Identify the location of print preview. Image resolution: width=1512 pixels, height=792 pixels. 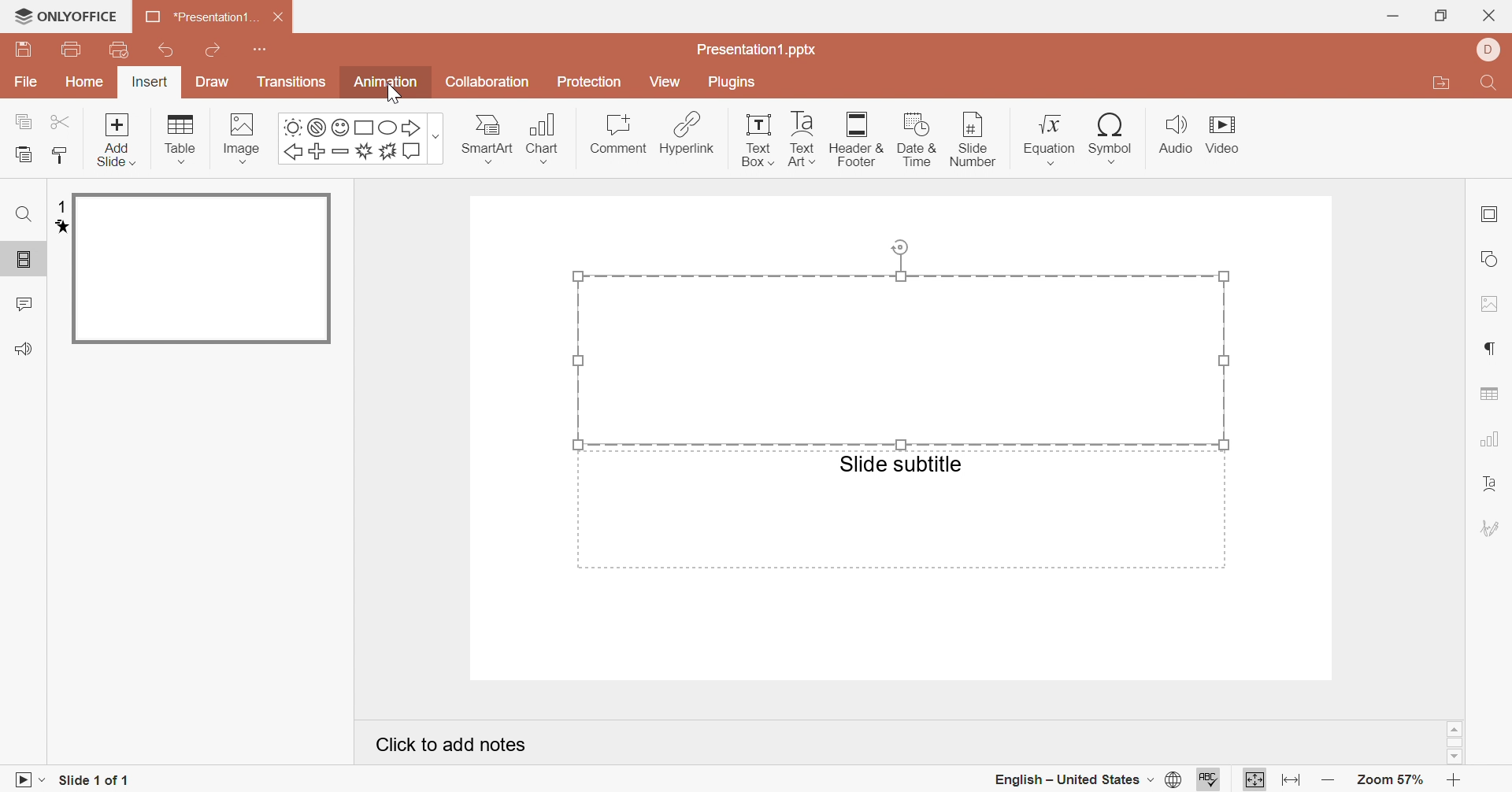
(121, 50).